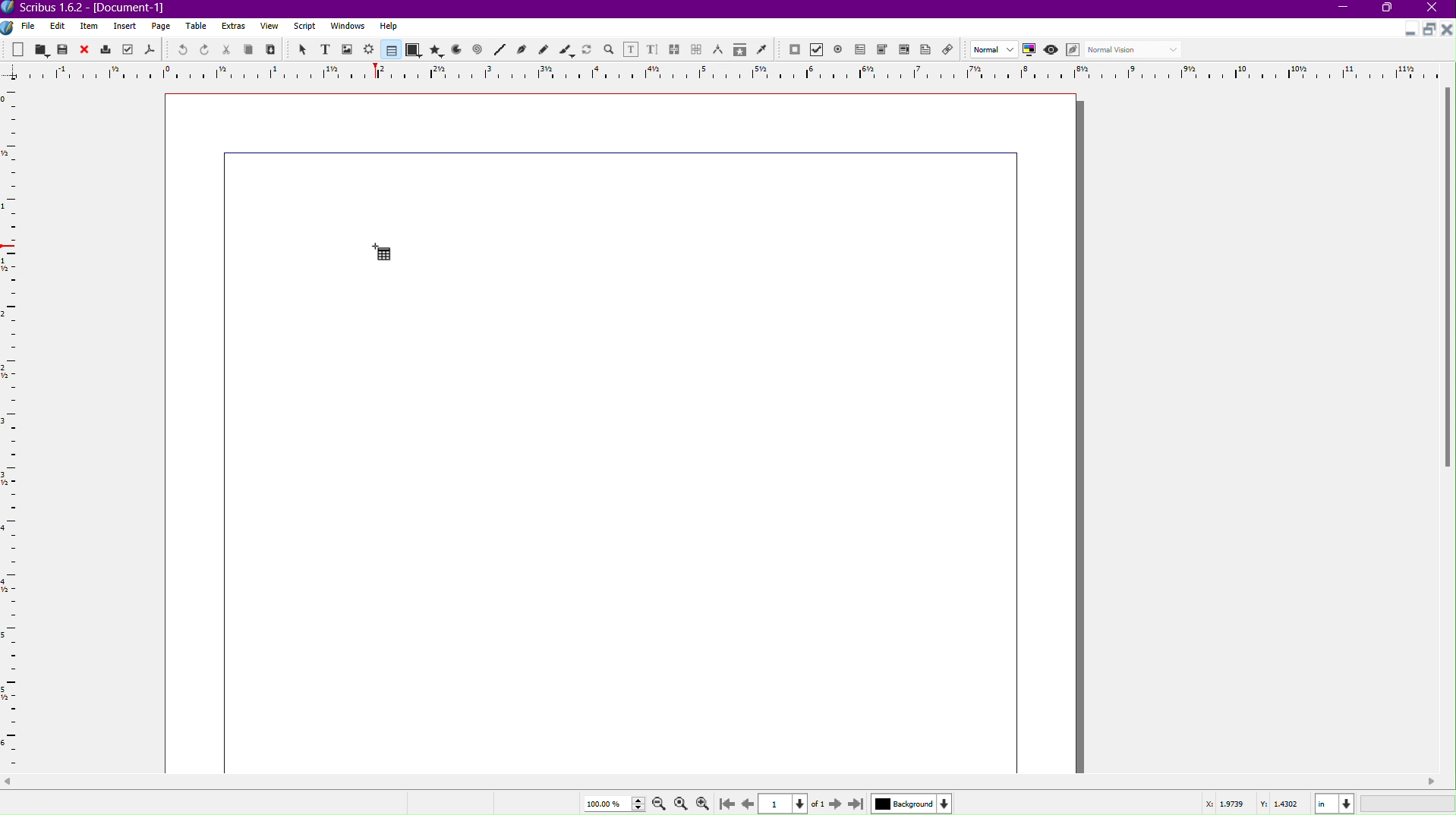 The width and height of the screenshot is (1456, 815). Describe the element at coordinates (178, 49) in the screenshot. I see `Undo` at that location.